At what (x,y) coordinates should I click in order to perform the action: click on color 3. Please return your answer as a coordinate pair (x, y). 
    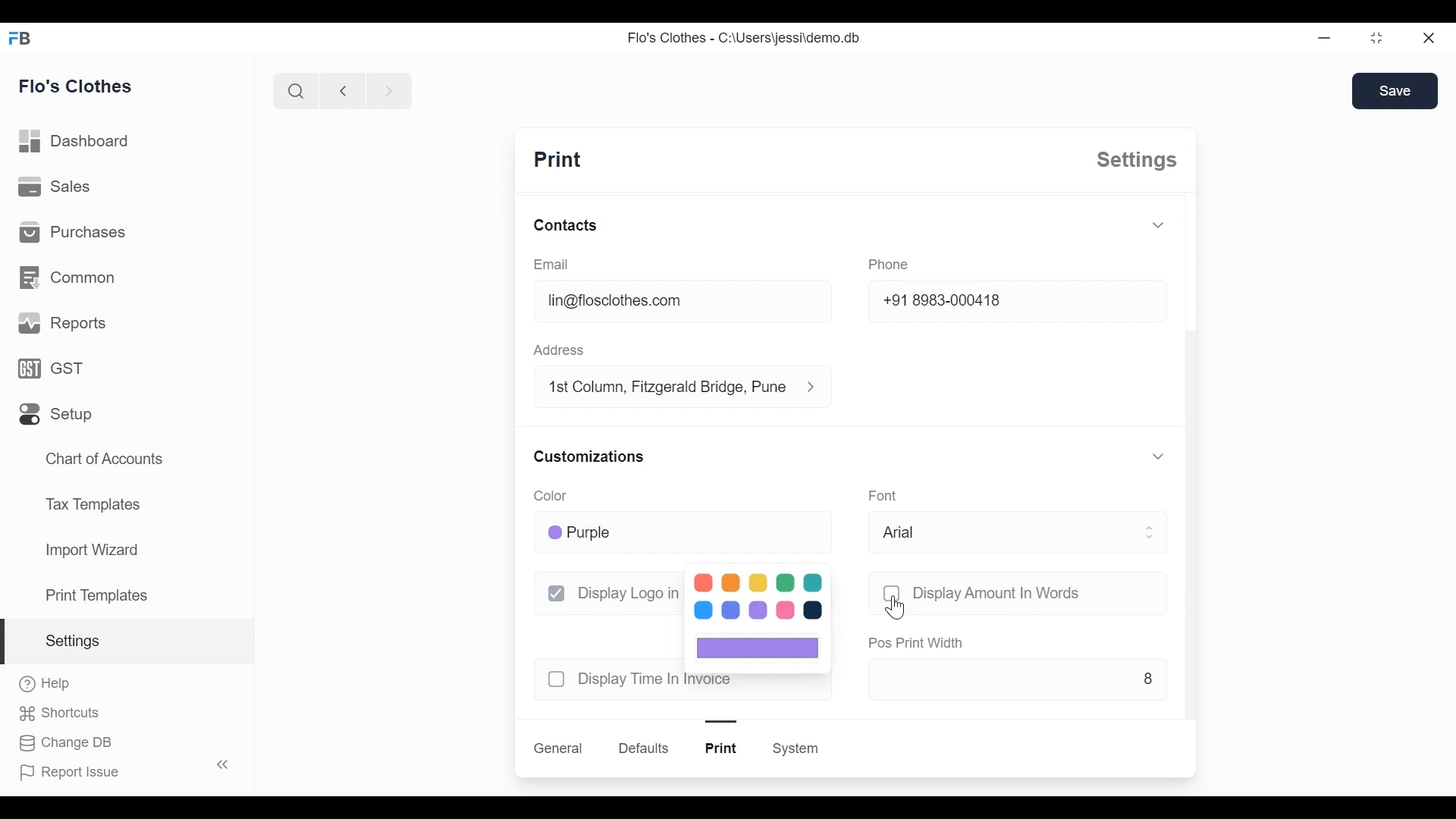
    Looking at the image, I should click on (758, 582).